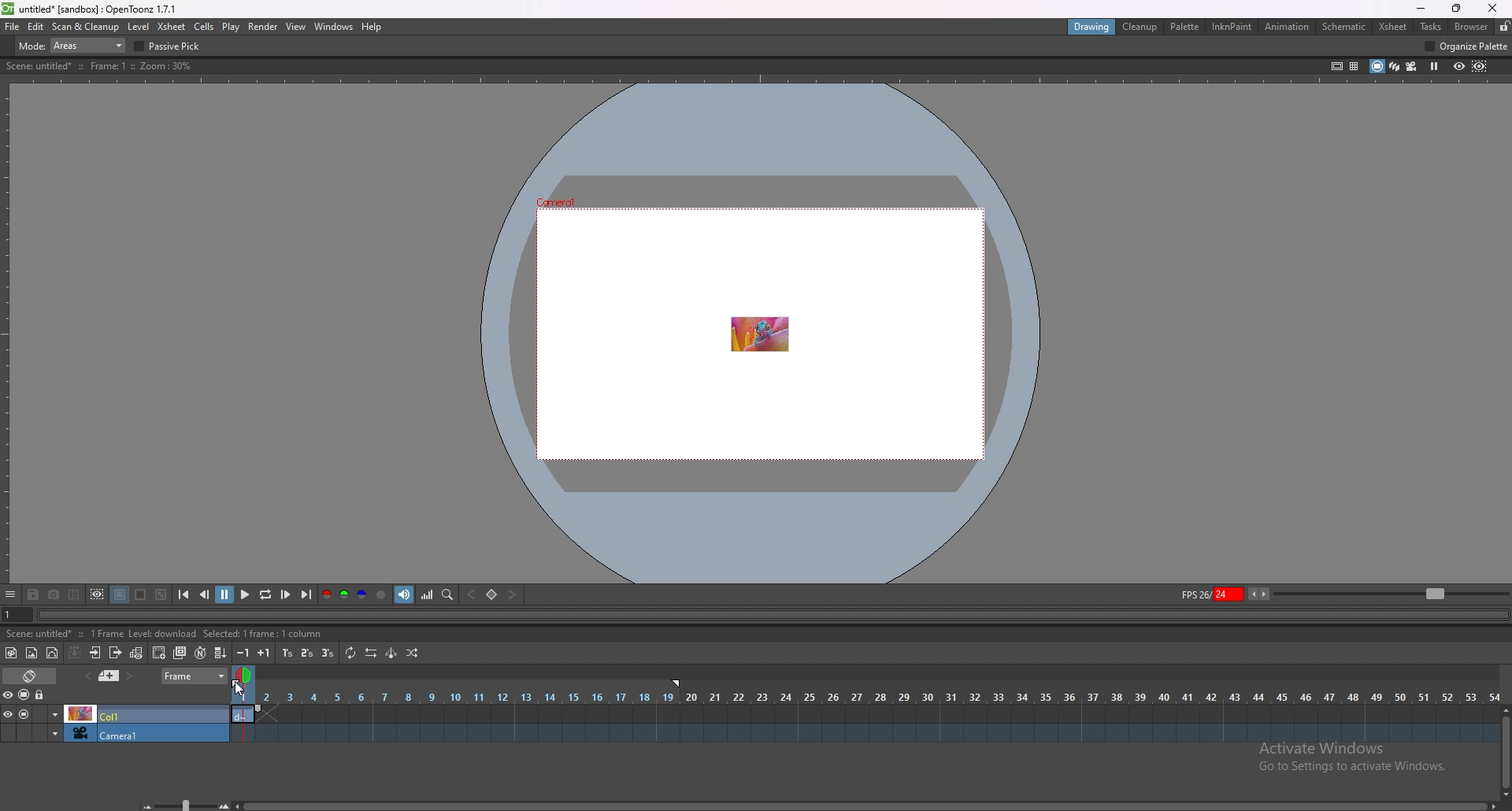 The image size is (1512, 811). What do you see at coordinates (52, 653) in the screenshot?
I see `new vector level` at bounding box center [52, 653].